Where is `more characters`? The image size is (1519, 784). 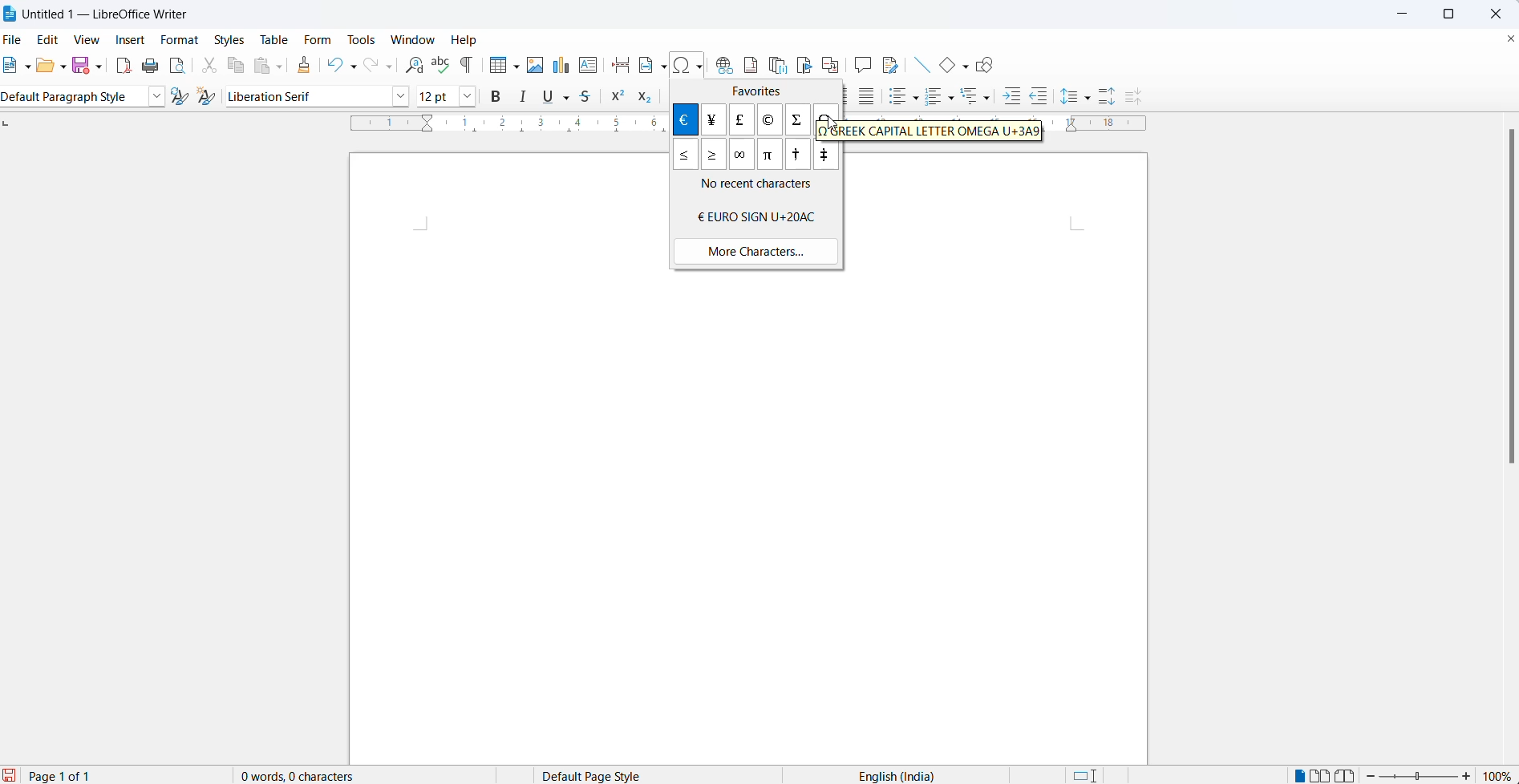 more characters is located at coordinates (755, 250).